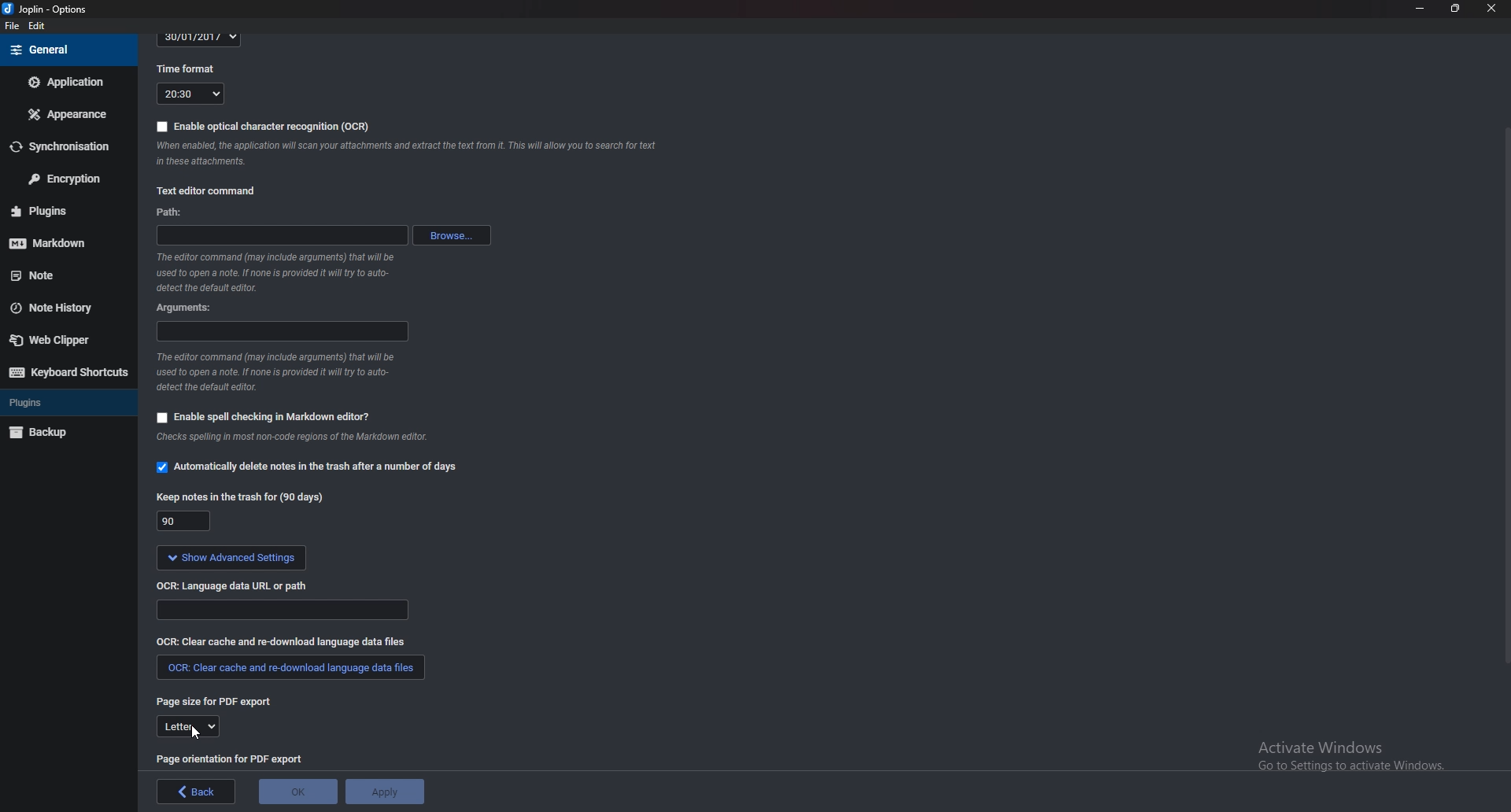  What do you see at coordinates (191, 308) in the screenshot?
I see `Arguments` at bounding box center [191, 308].